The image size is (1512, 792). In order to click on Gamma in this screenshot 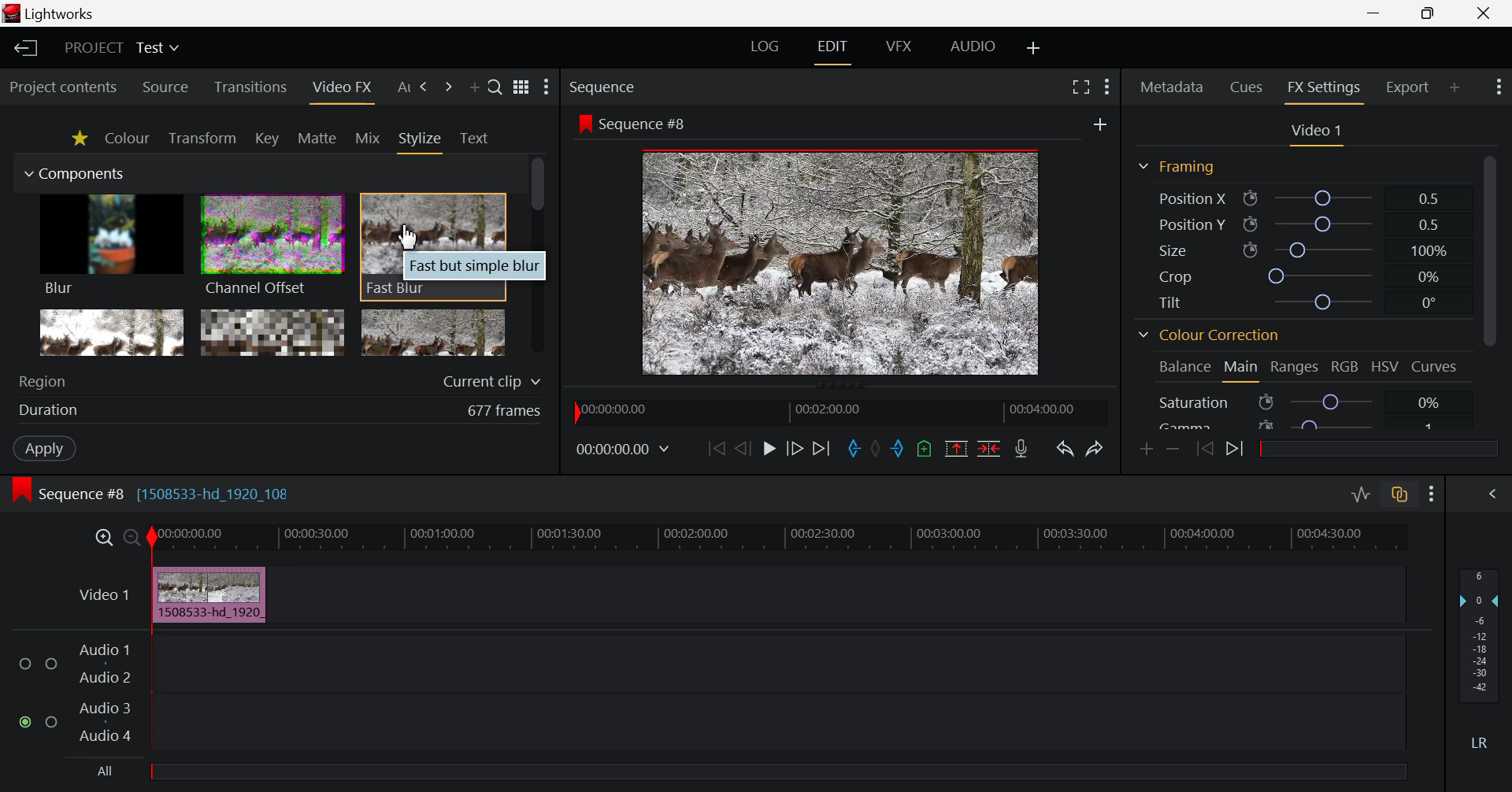, I will do `click(1303, 425)`.